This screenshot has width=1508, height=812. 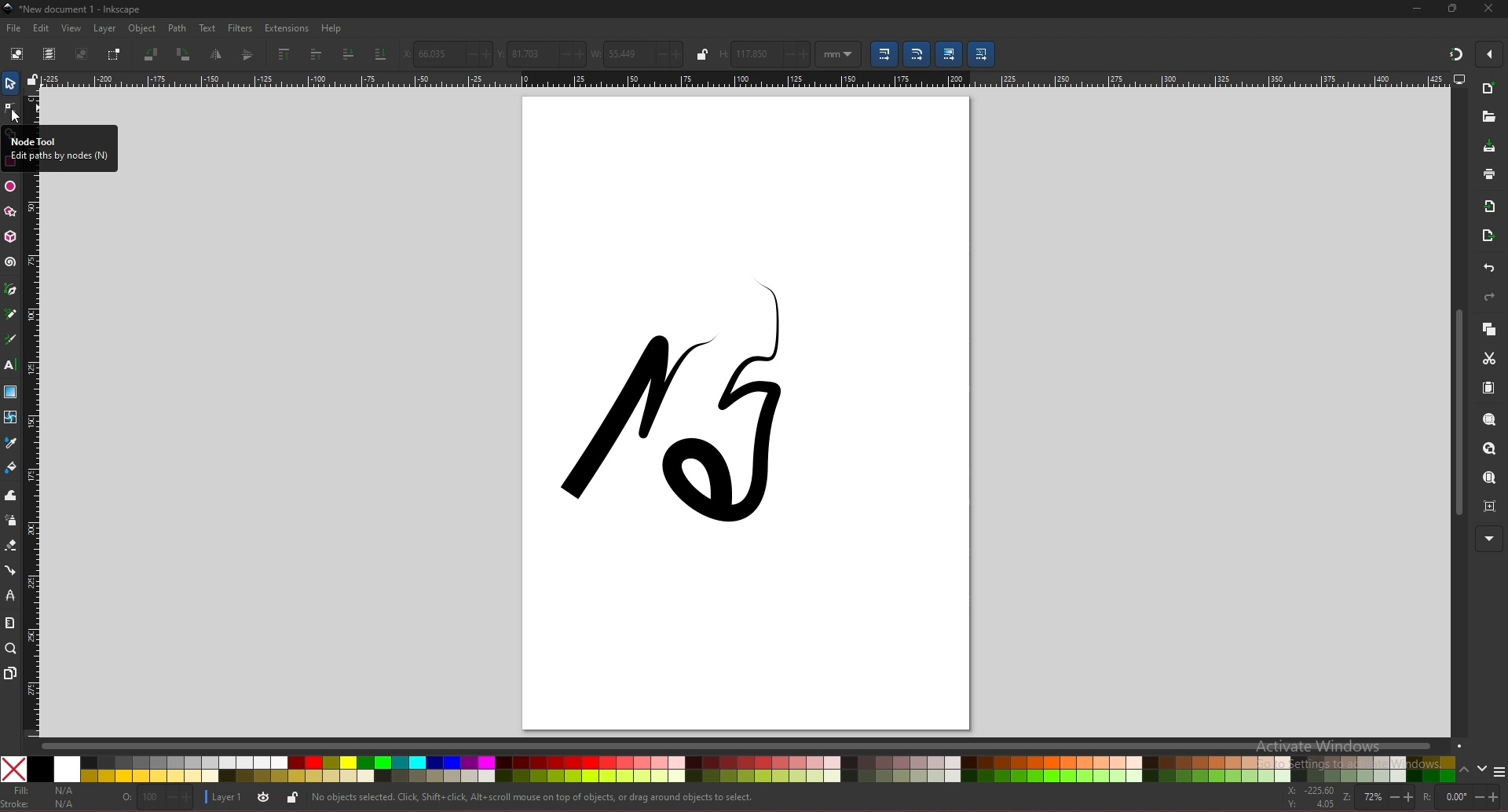 I want to click on raise selection one step, so click(x=317, y=53).